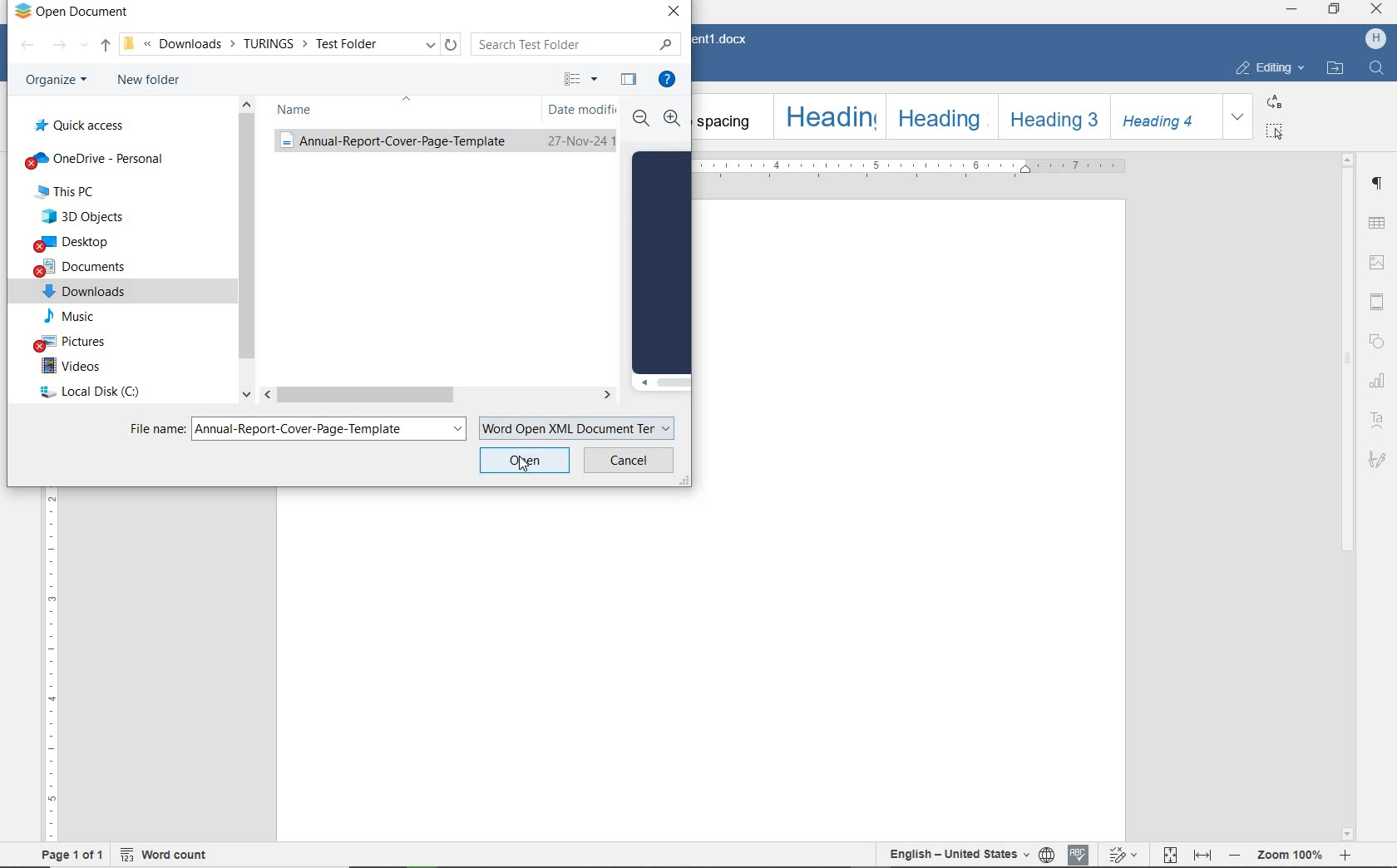 This screenshot has width=1397, height=868. I want to click on FILE PREVIEW, so click(660, 262).